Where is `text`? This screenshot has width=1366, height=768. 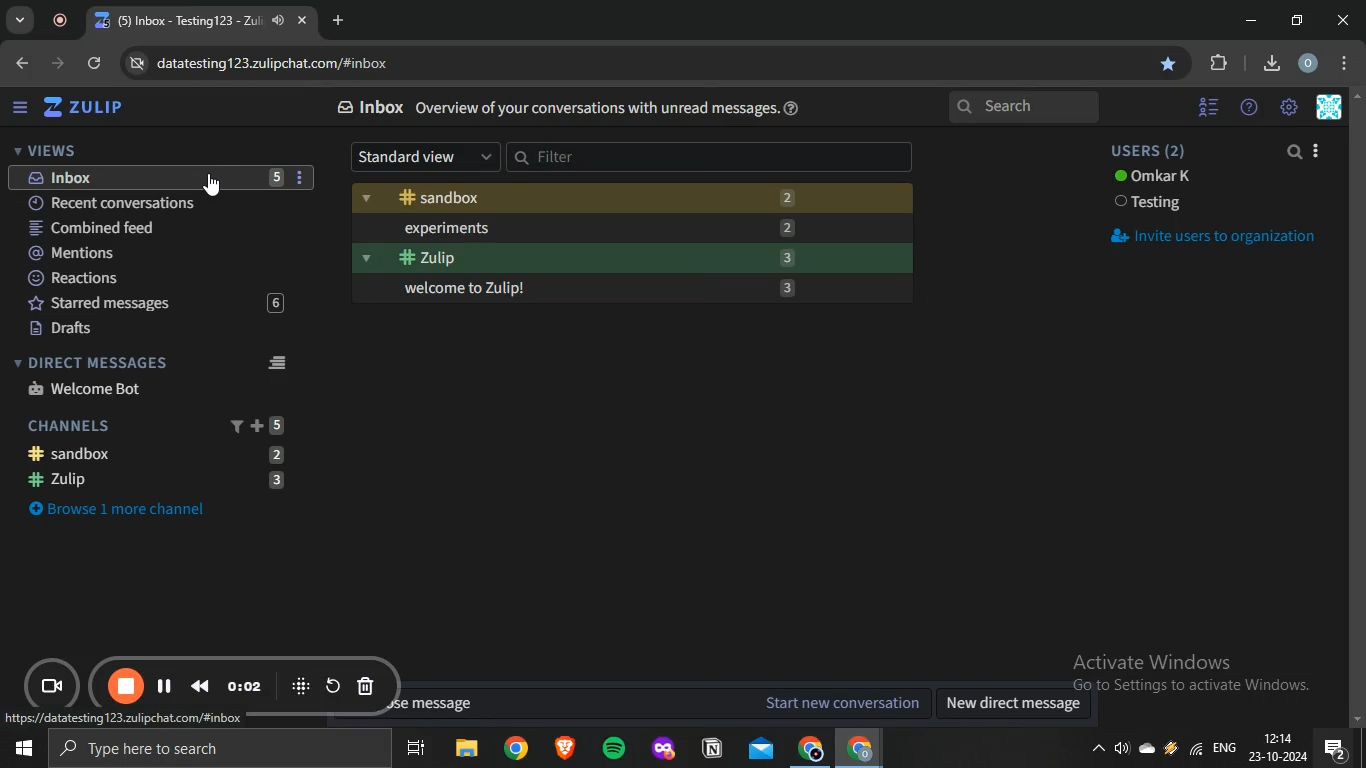 text is located at coordinates (1153, 178).